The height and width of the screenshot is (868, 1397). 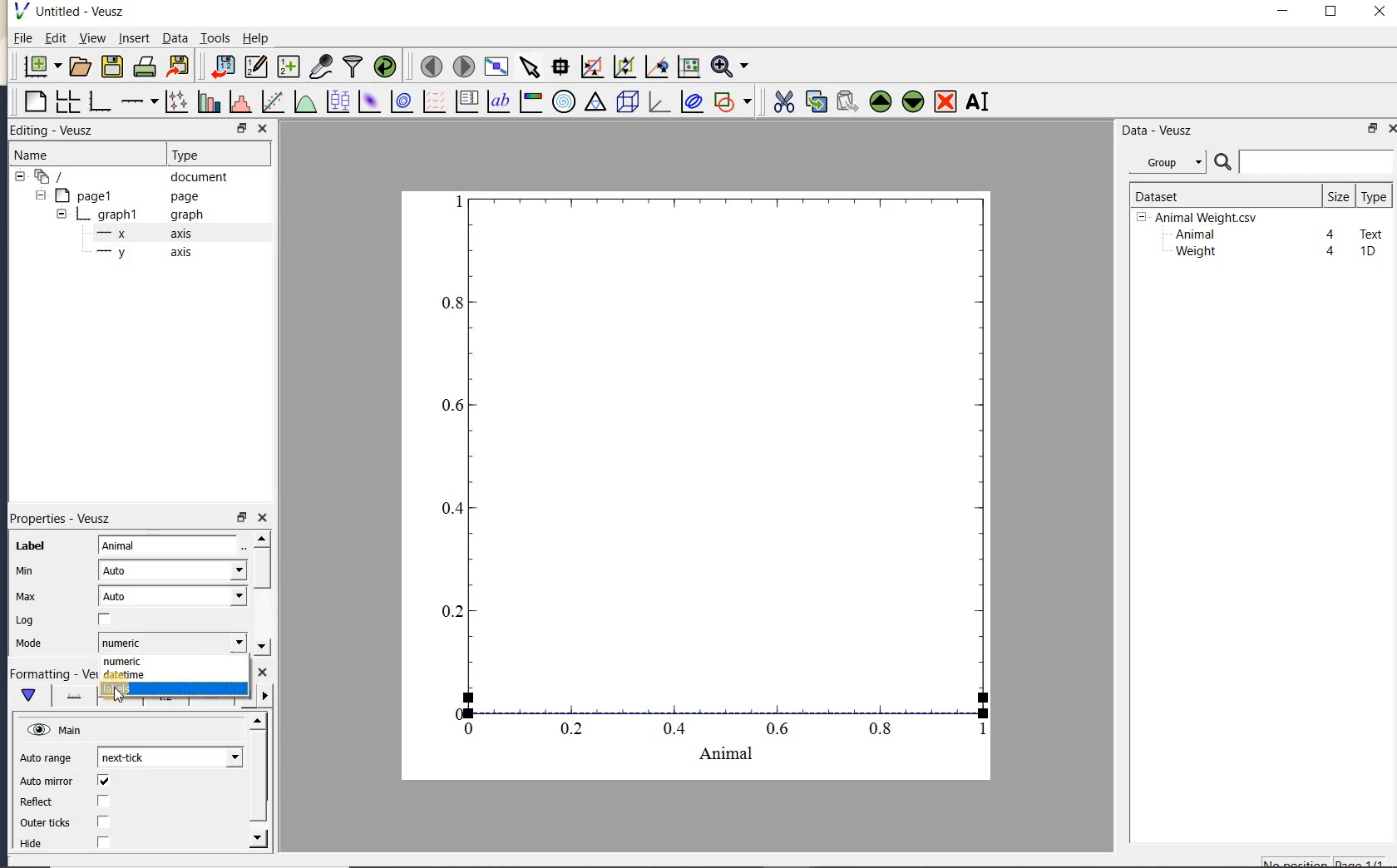 What do you see at coordinates (139, 101) in the screenshot?
I see `add an axis to the plot` at bounding box center [139, 101].